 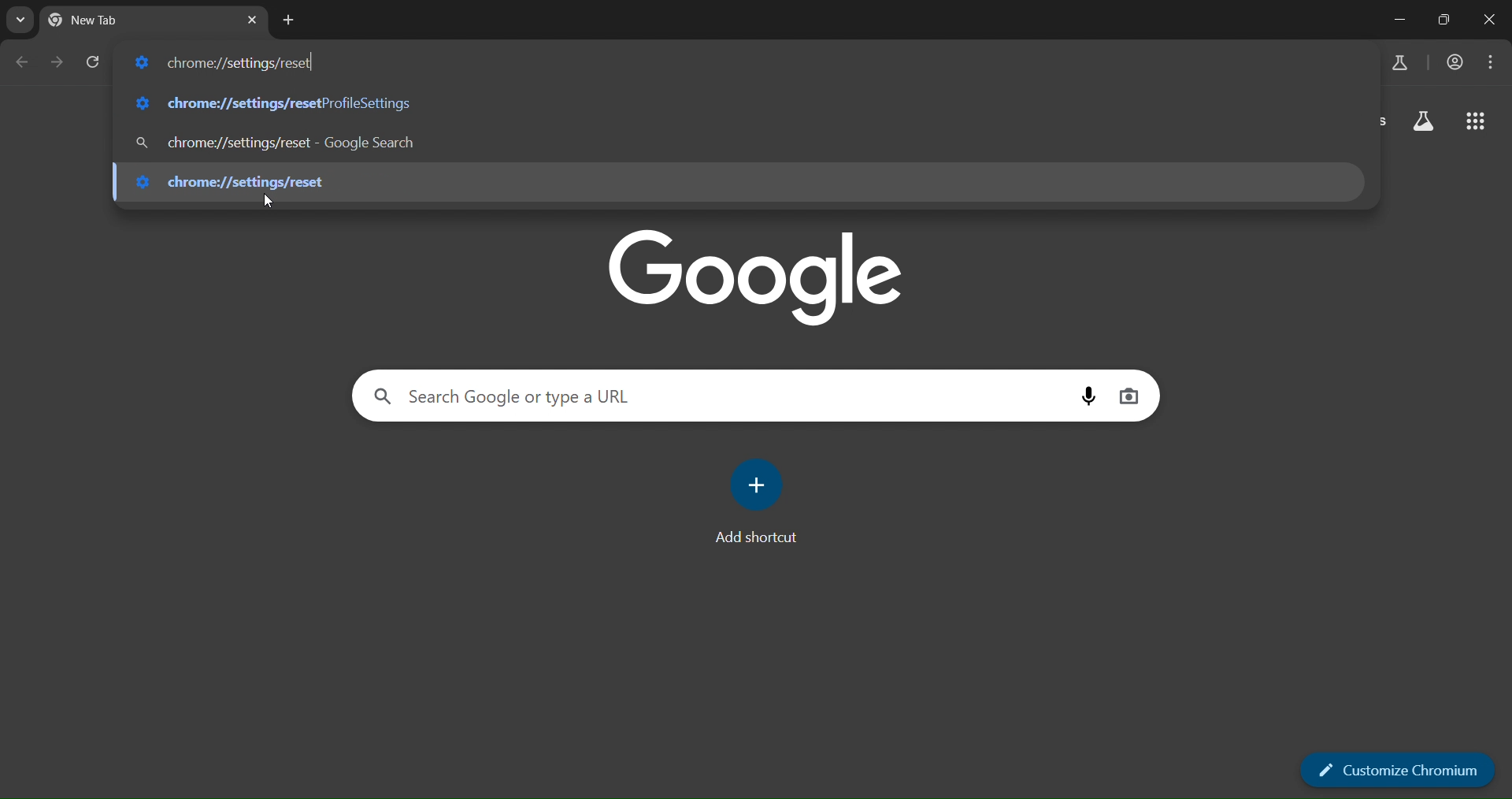 I want to click on customize chromium, so click(x=1395, y=771).